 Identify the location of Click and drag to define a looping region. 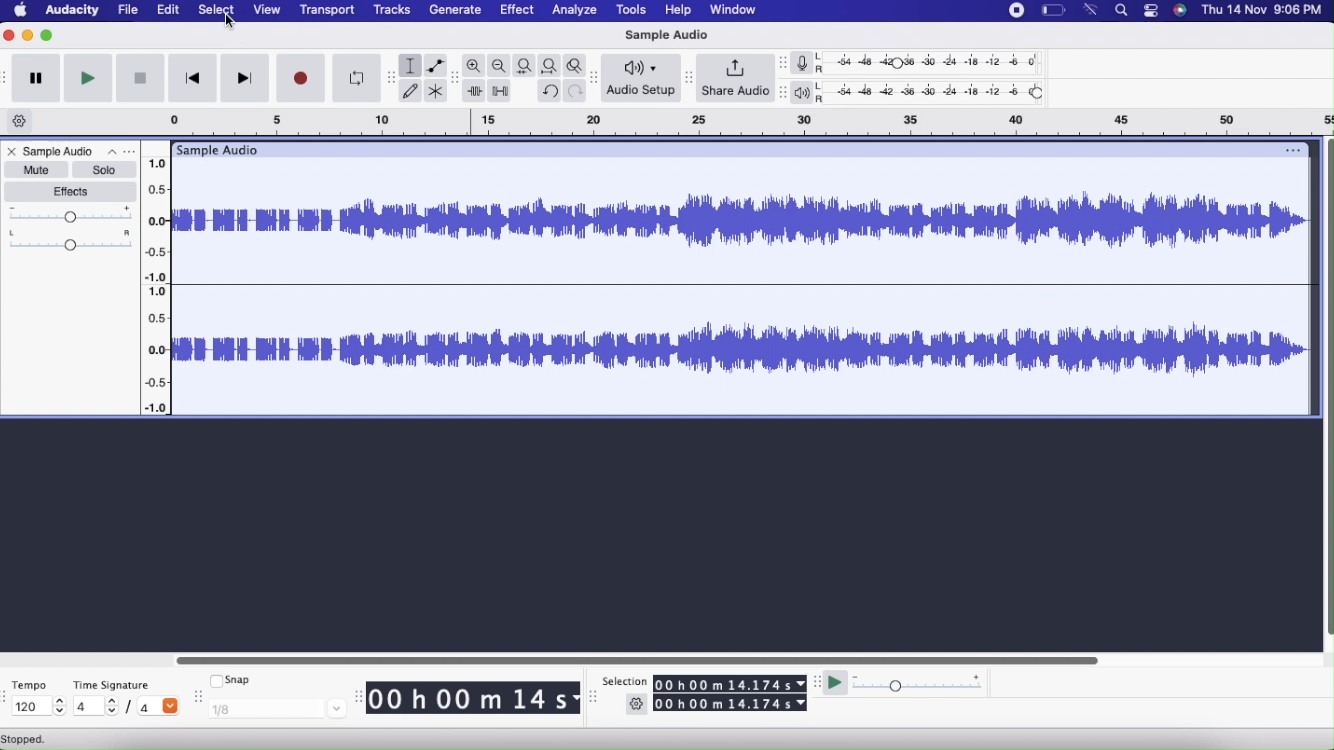
(737, 124).